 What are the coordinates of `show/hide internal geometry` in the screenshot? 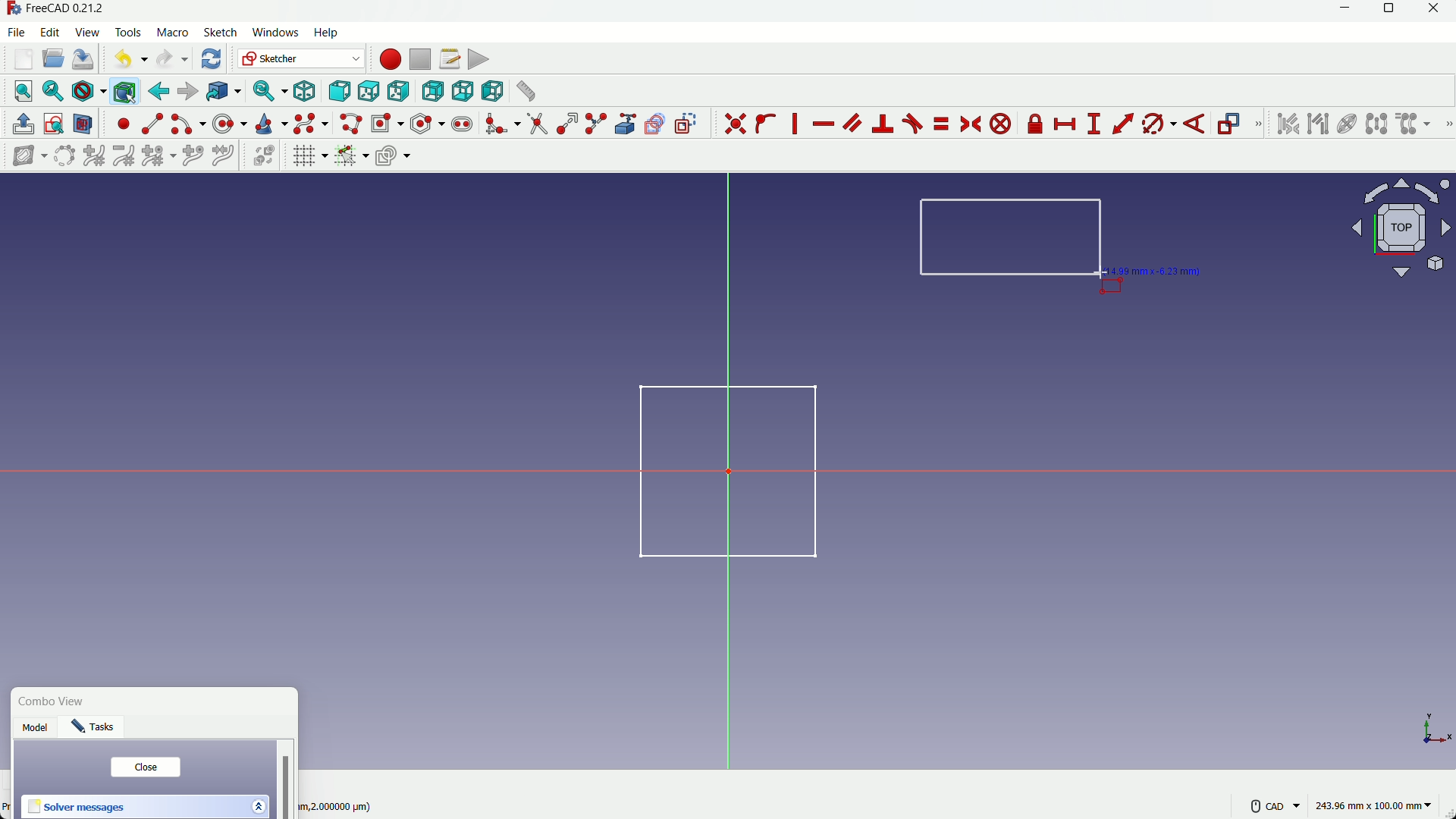 It's located at (1345, 124).